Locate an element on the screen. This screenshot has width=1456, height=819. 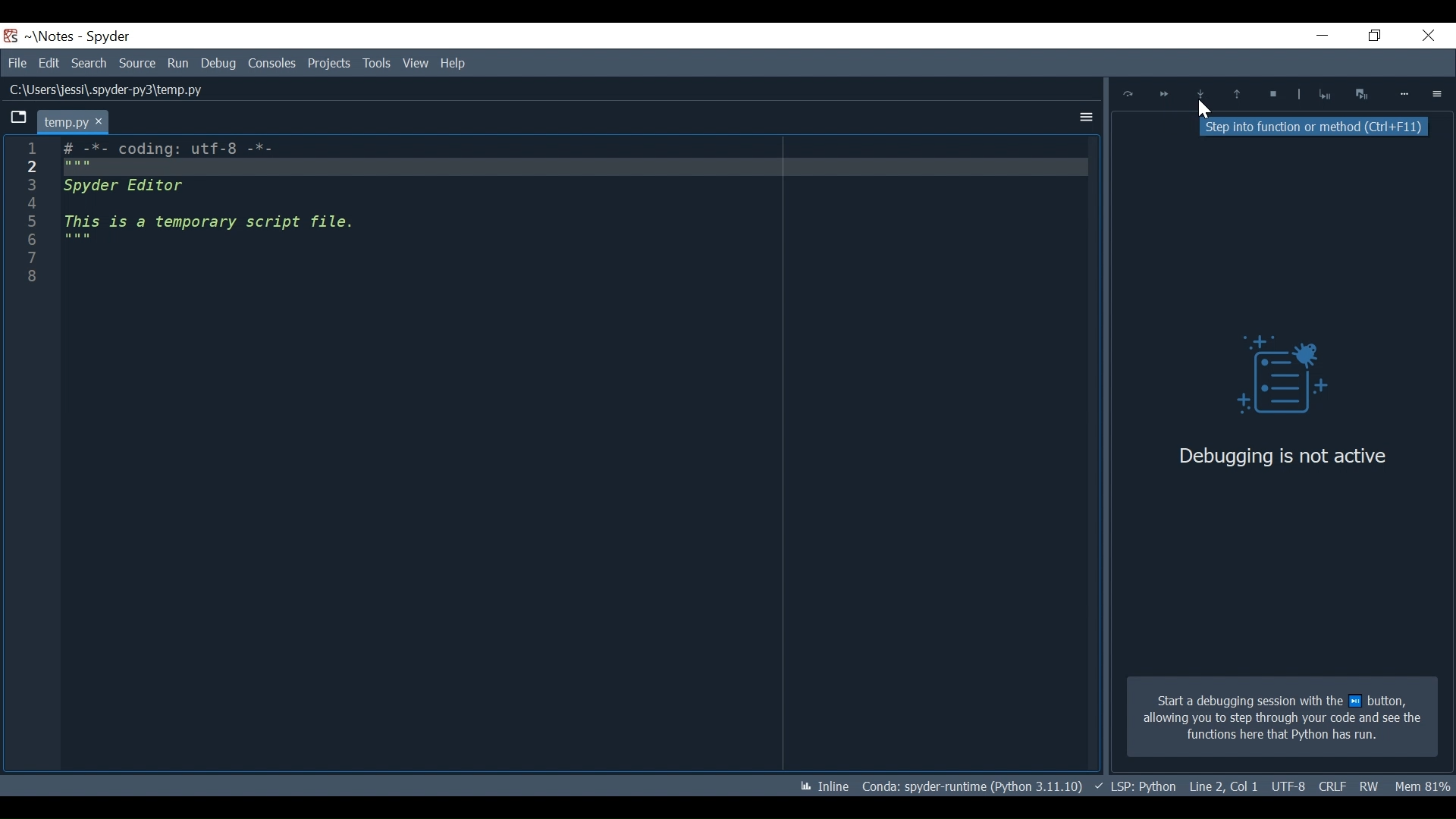
Execute Current Line is located at coordinates (1128, 94).